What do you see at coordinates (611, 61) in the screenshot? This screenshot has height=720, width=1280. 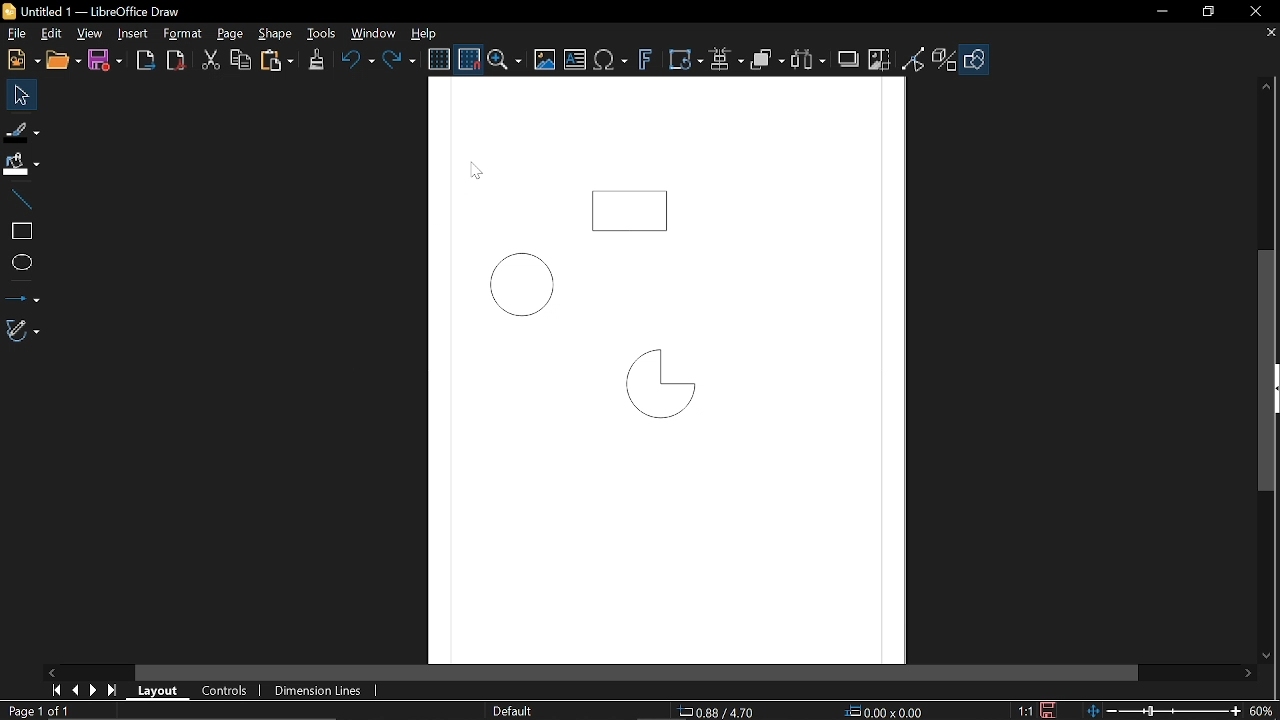 I see `Insert text` at bounding box center [611, 61].